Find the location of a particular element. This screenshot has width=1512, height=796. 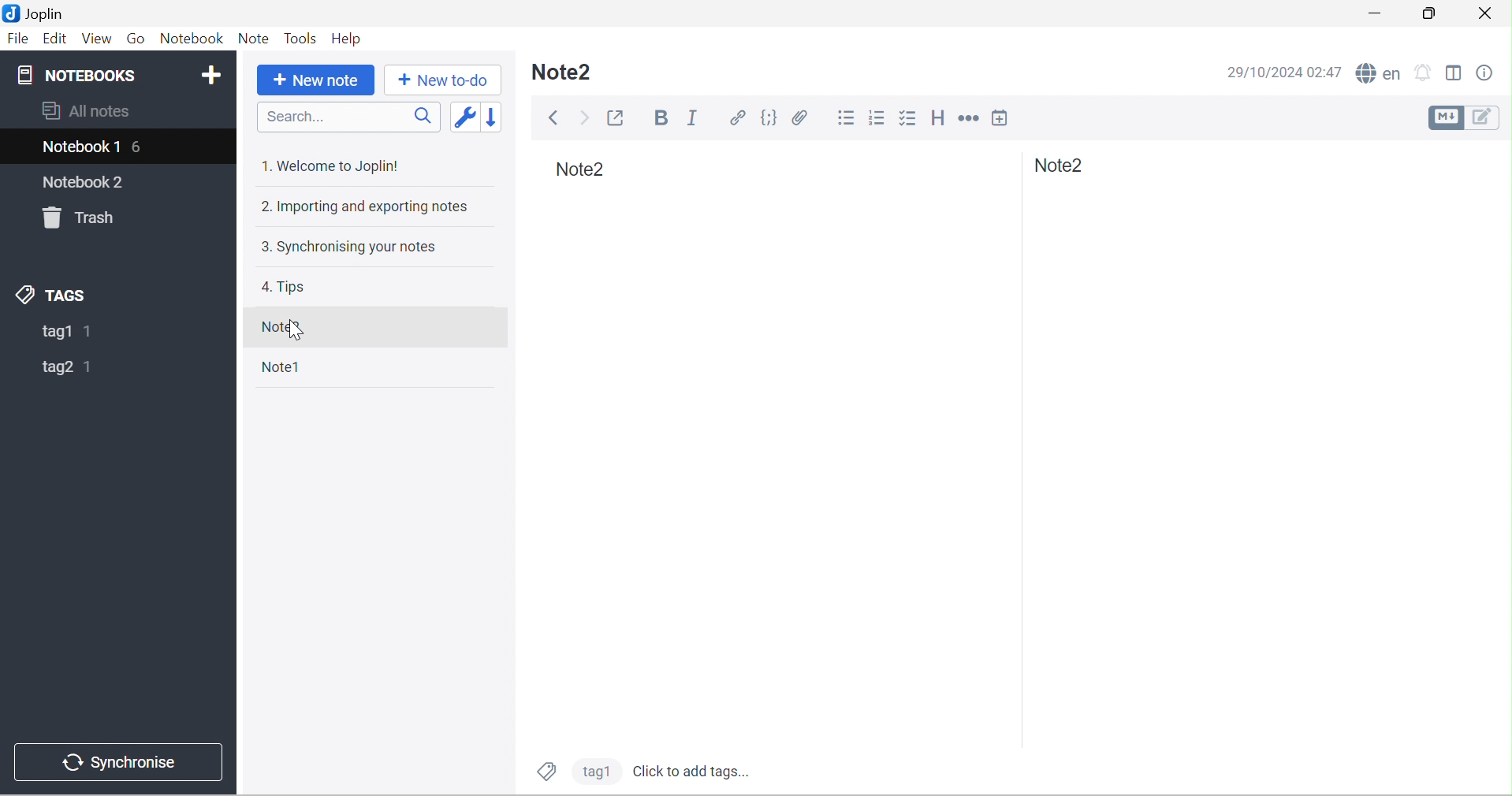

29/10/2024 02:47 is located at coordinates (1282, 72).